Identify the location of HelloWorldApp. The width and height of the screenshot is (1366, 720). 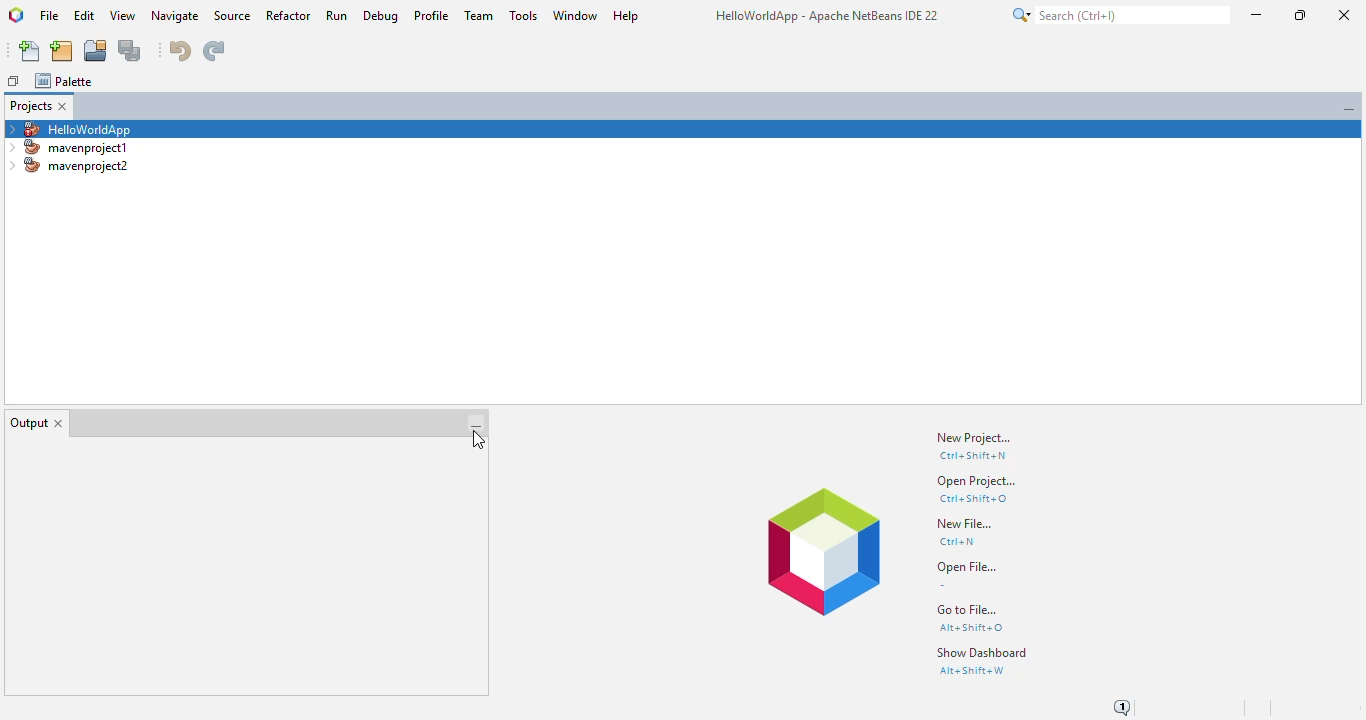
(68, 128).